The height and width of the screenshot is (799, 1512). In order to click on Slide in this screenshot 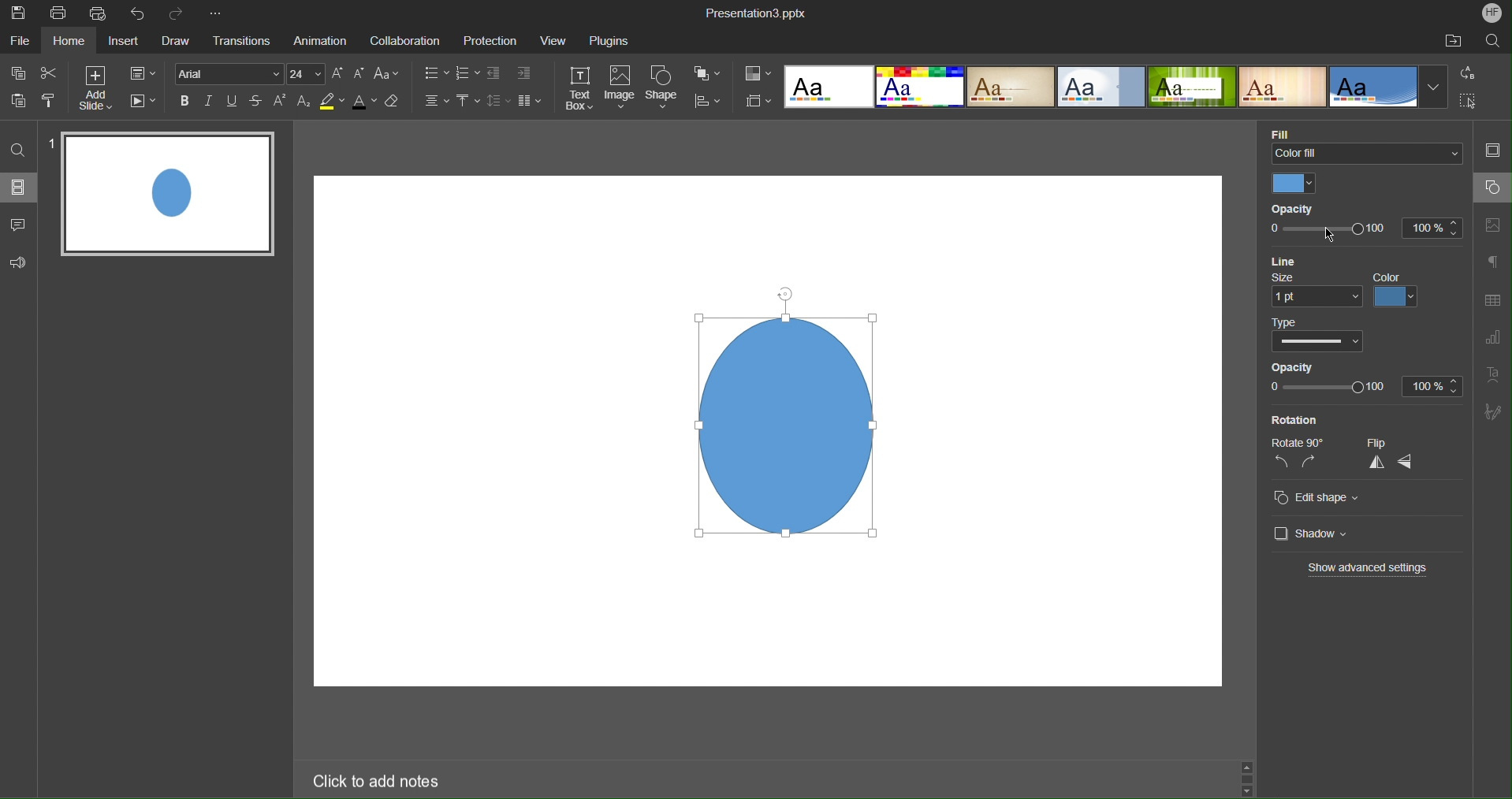, I will do `click(170, 194)`.